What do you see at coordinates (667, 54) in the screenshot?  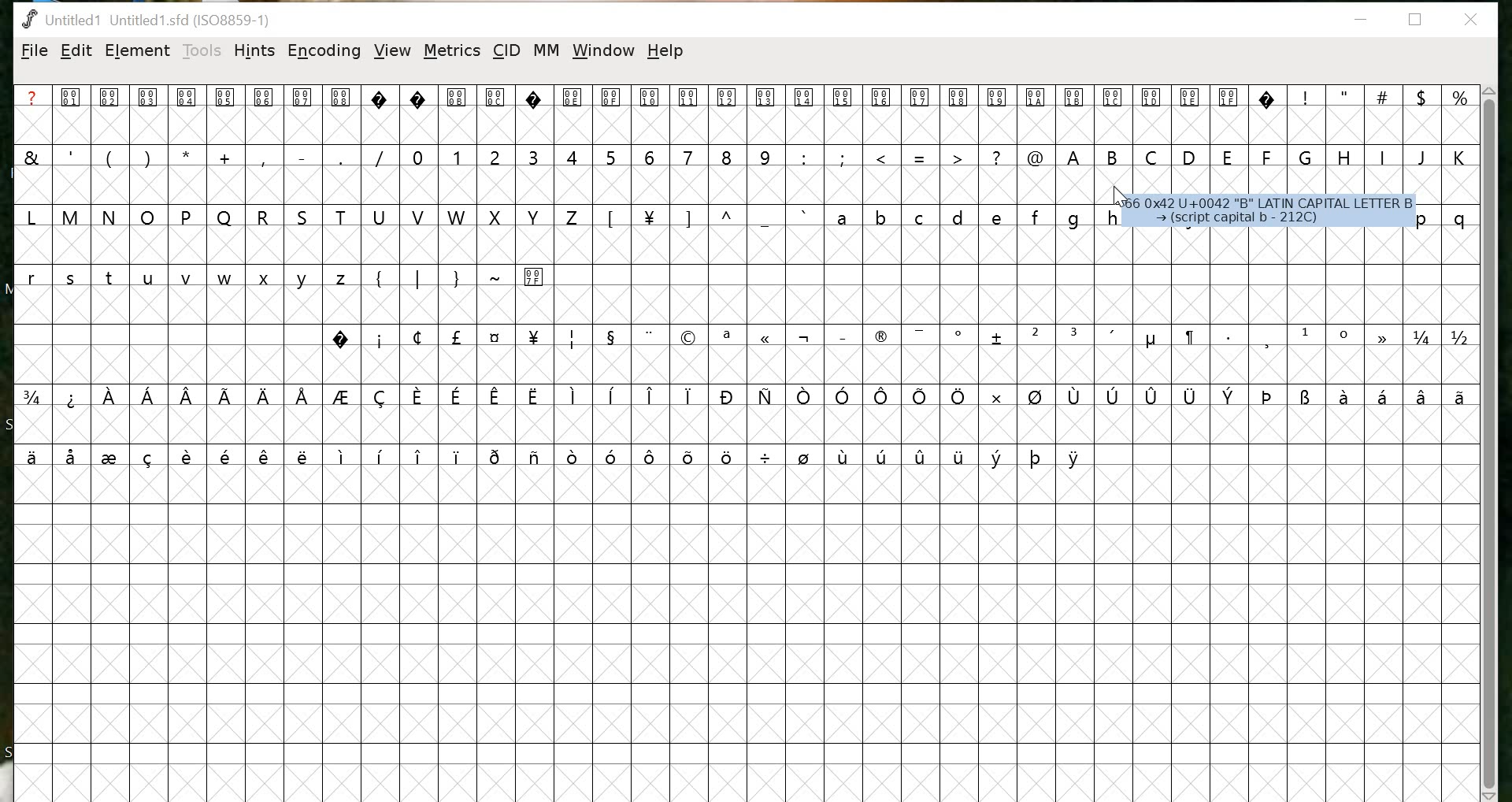 I see `help` at bounding box center [667, 54].